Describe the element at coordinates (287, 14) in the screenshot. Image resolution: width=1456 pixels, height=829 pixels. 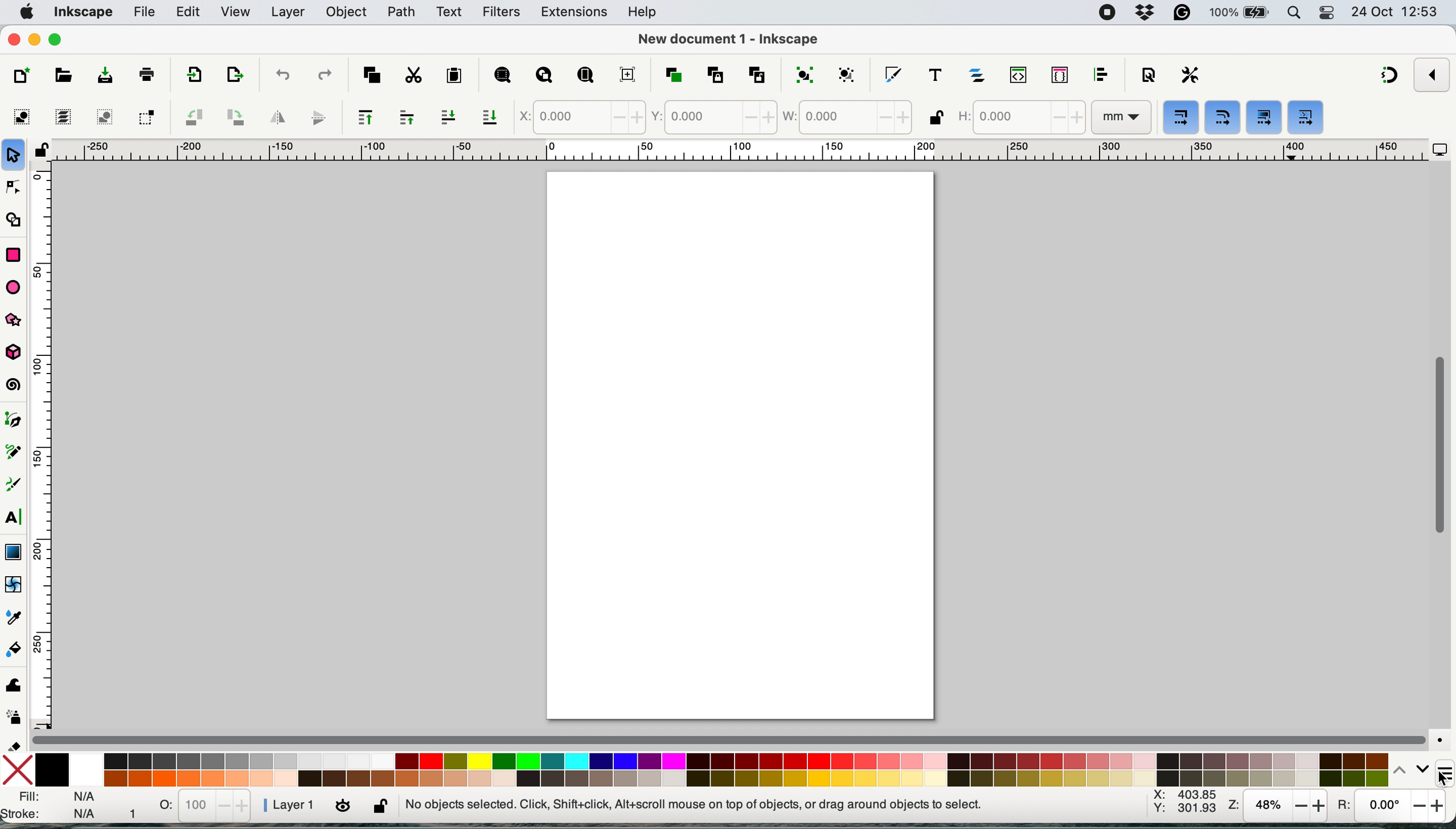
I see `layer` at that location.